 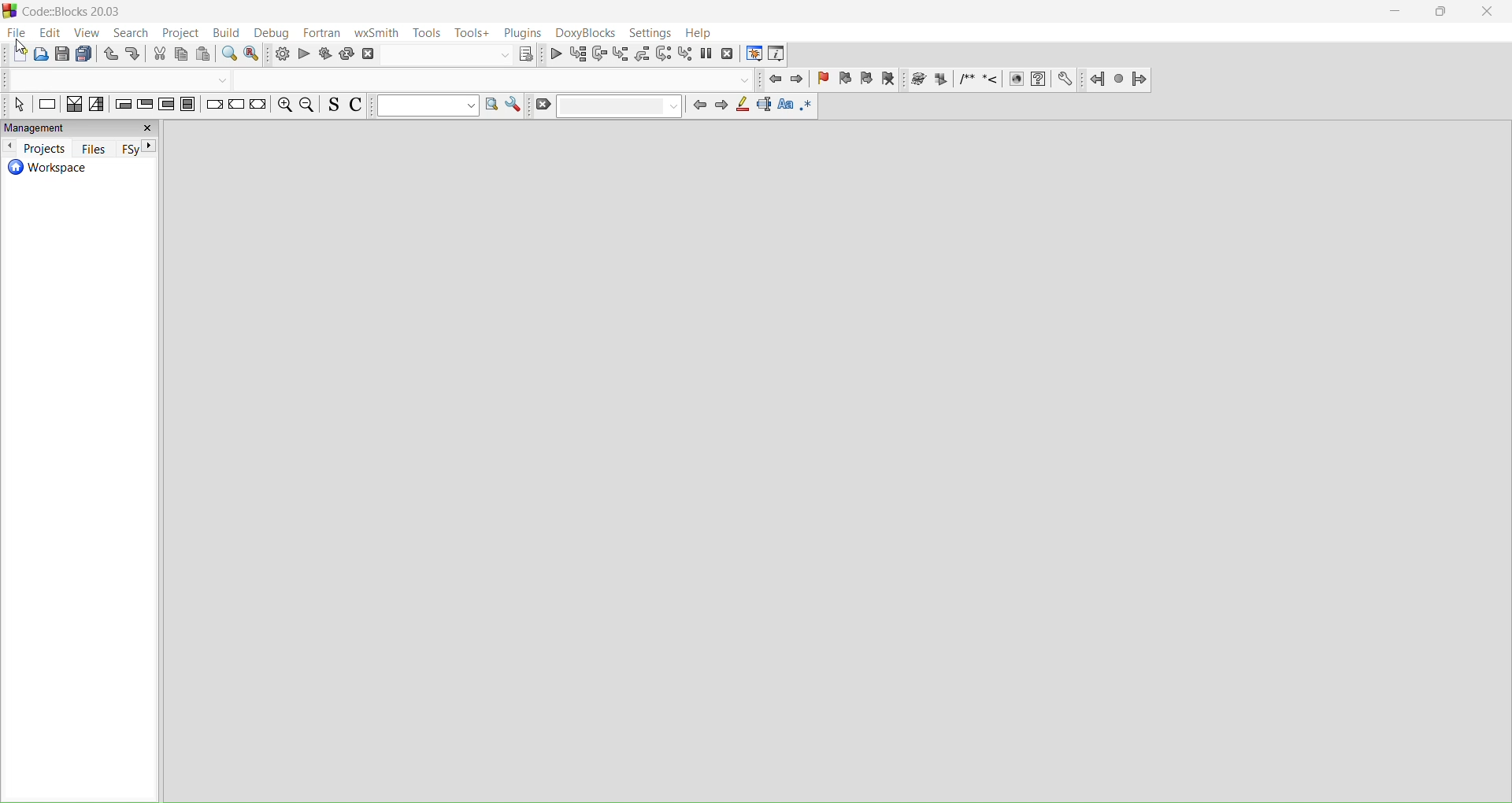 I want to click on debug/continue, so click(x=555, y=53).